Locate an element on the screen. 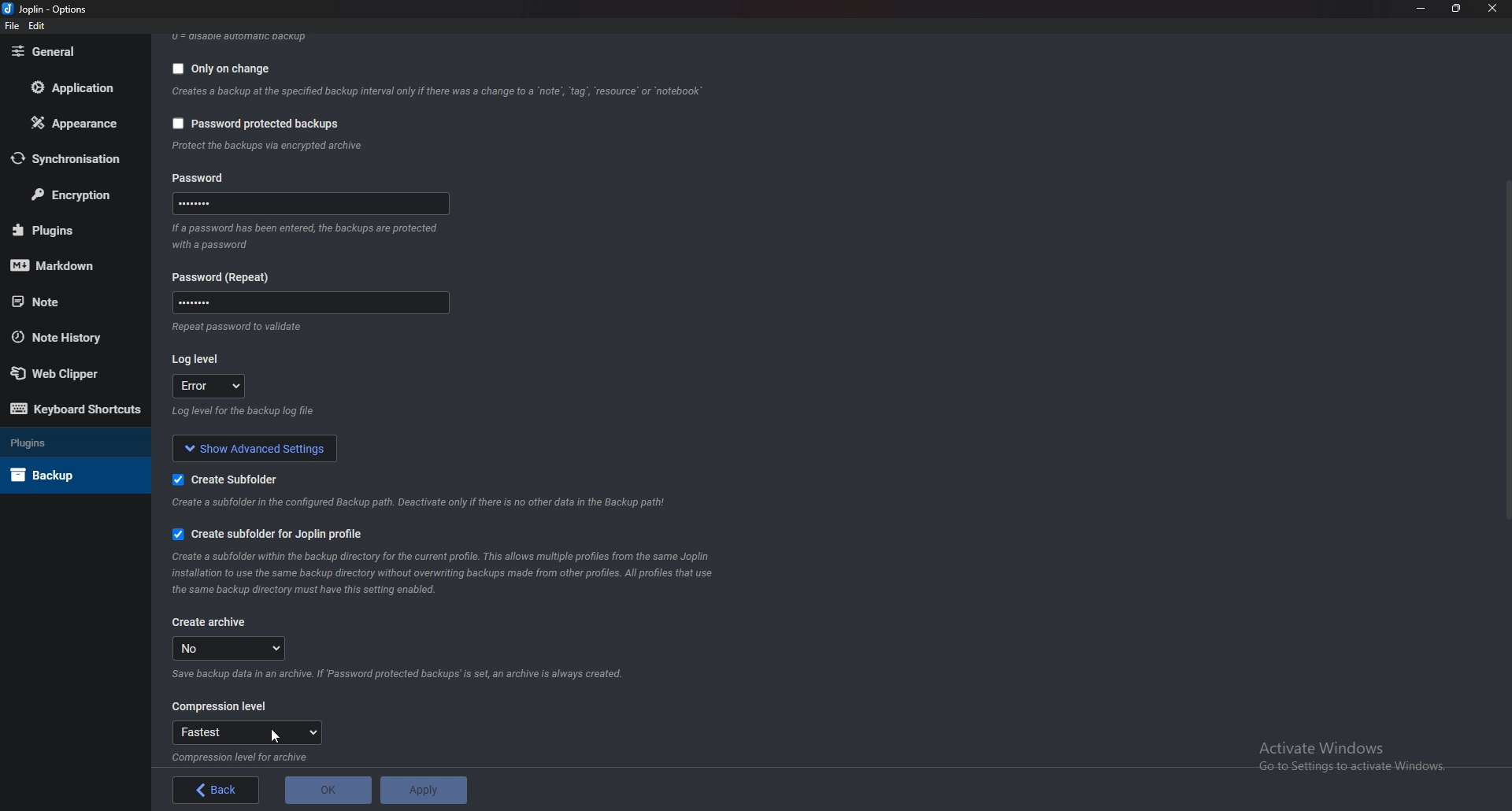 This screenshot has height=811, width=1512. Info on subfolder is located at coordinates (418, 504).